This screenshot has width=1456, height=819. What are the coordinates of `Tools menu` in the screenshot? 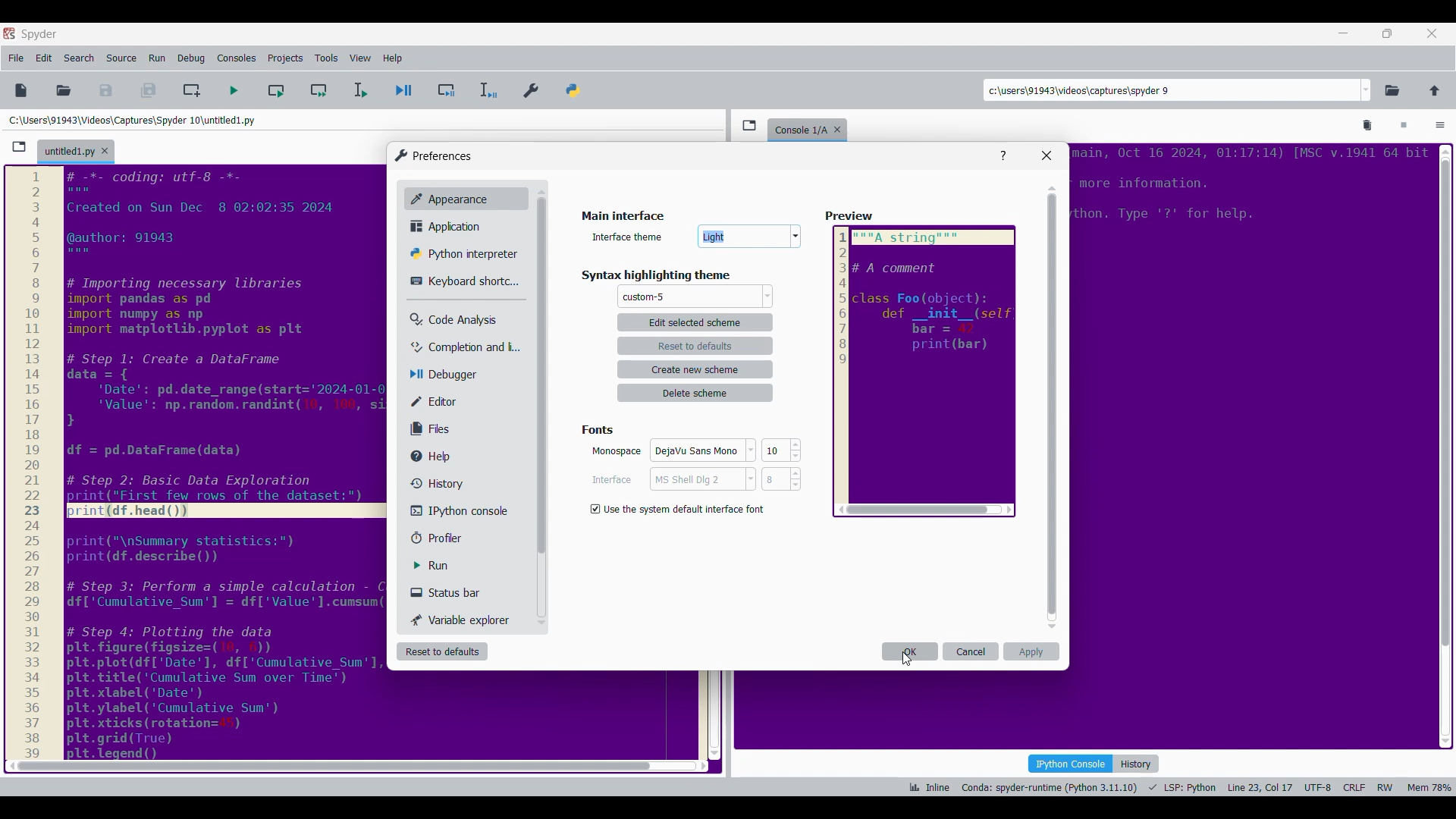 It's located at (326, 58).